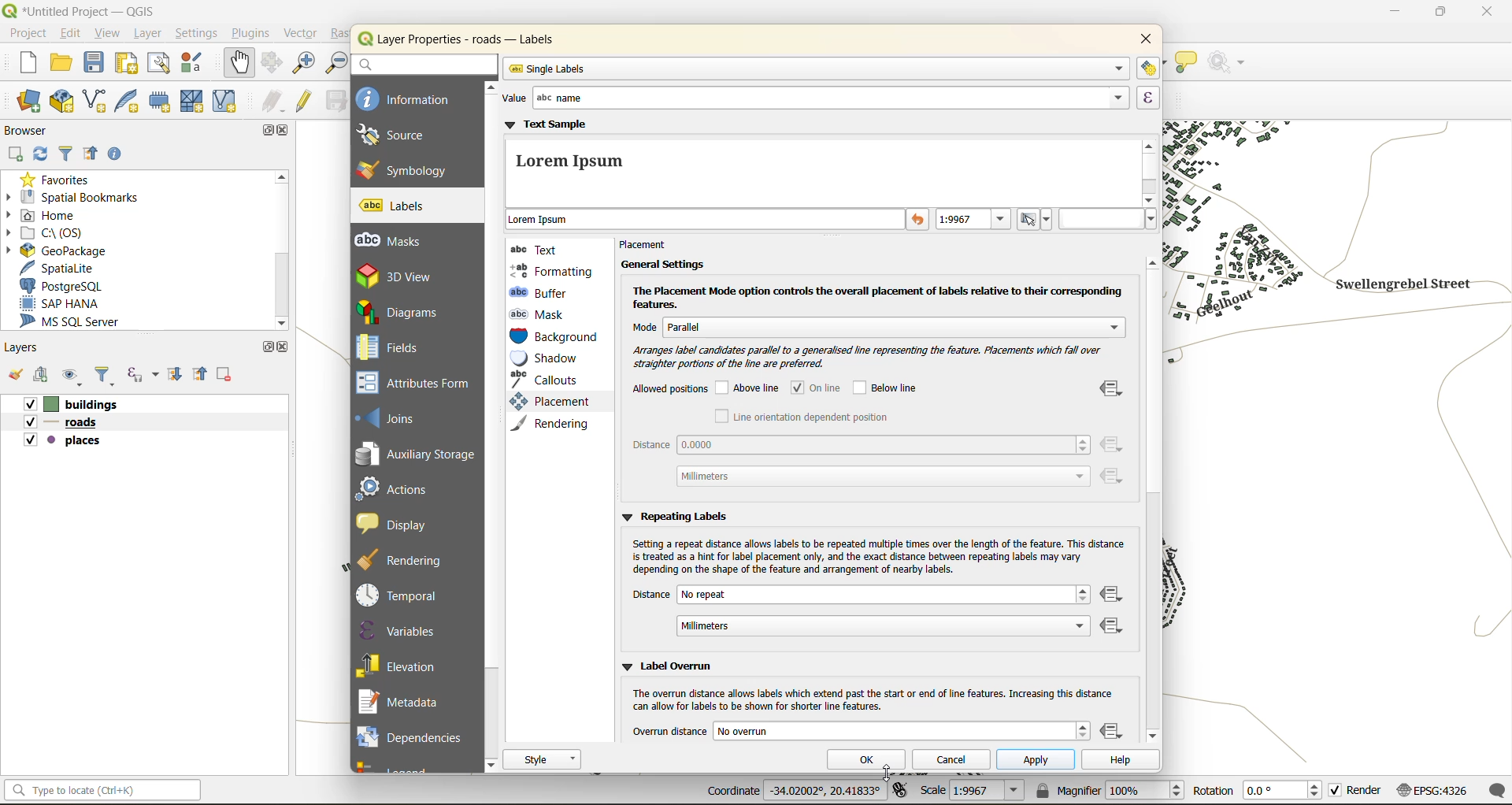  Describe the element at coordinates (305, 34) in the screenshot. I see `vector` at that location.